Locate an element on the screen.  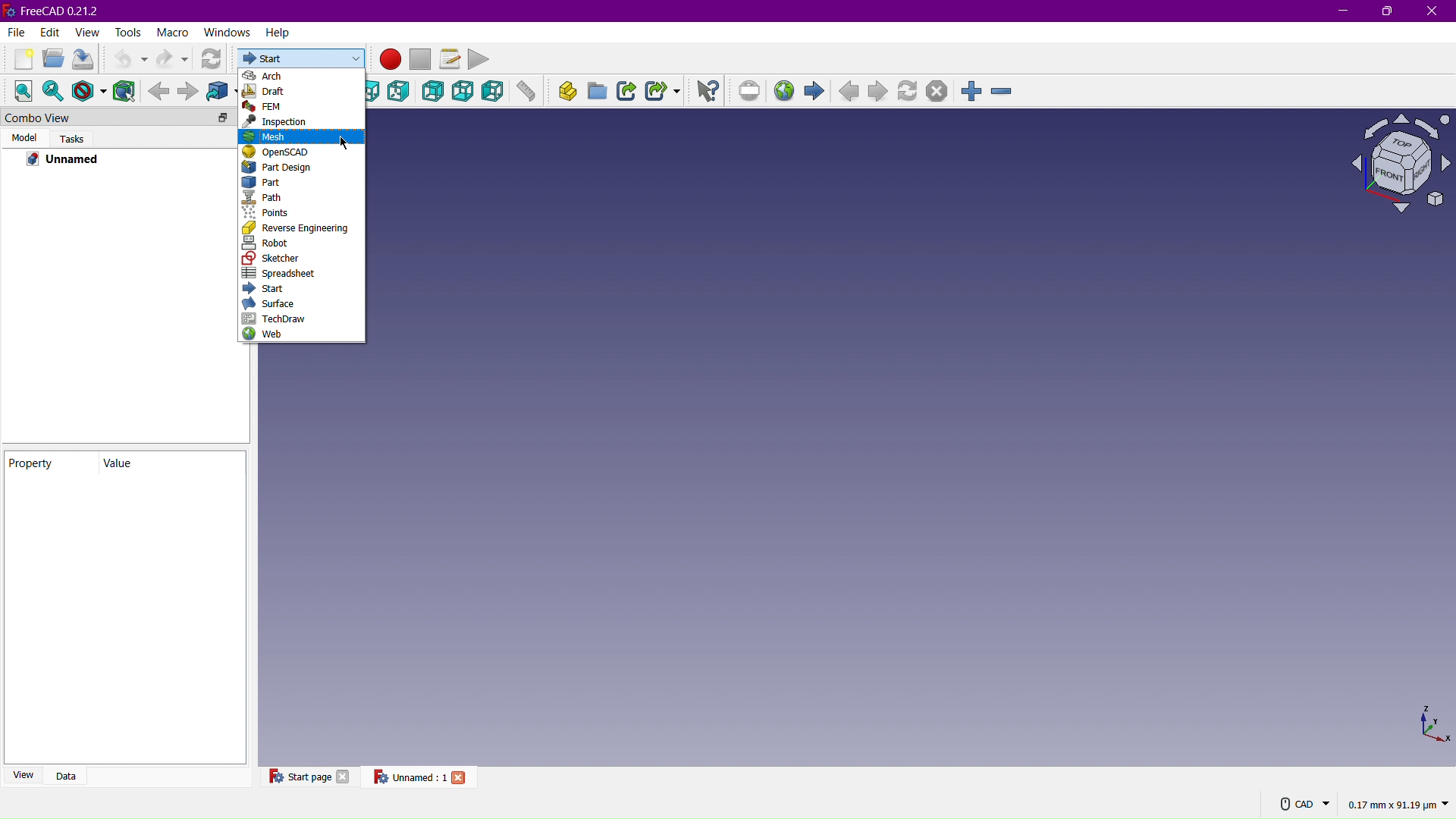
Isometric is located at coordinates (1394, 165).